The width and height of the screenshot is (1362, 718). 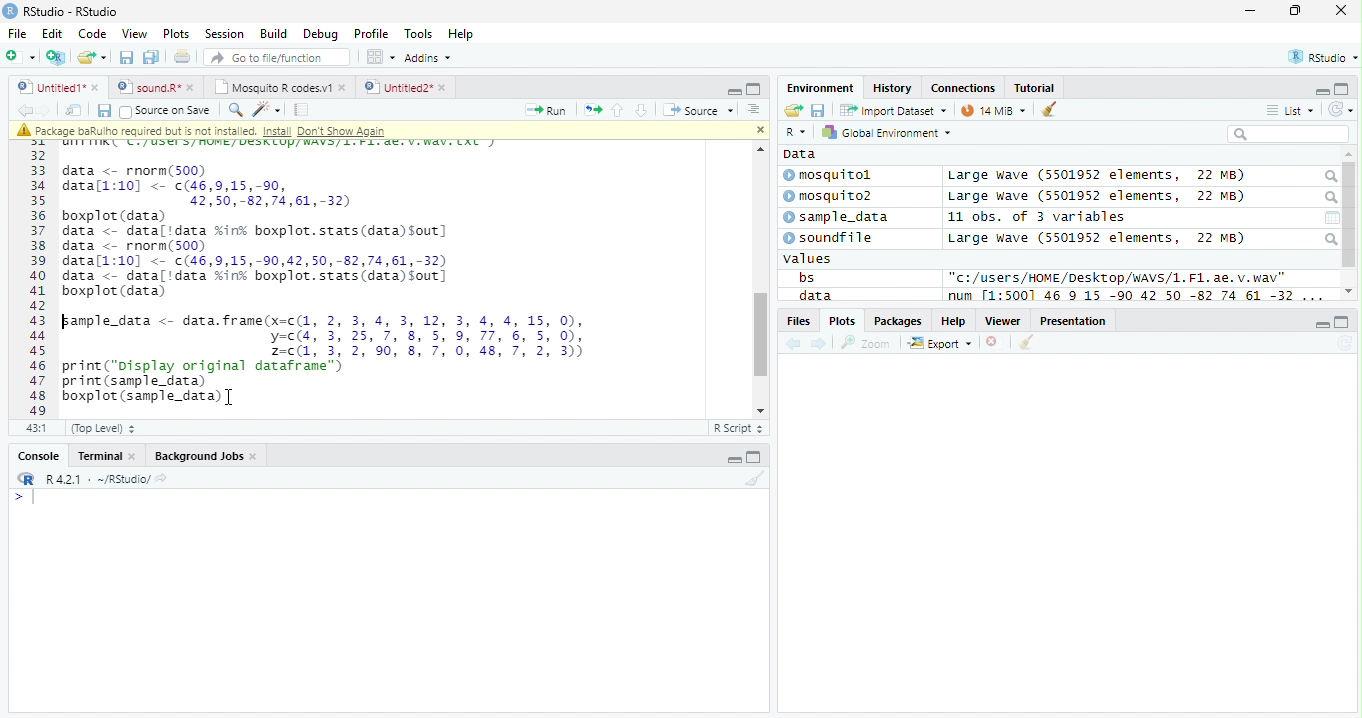 I want to click on Console, so click(x=35, y=455).